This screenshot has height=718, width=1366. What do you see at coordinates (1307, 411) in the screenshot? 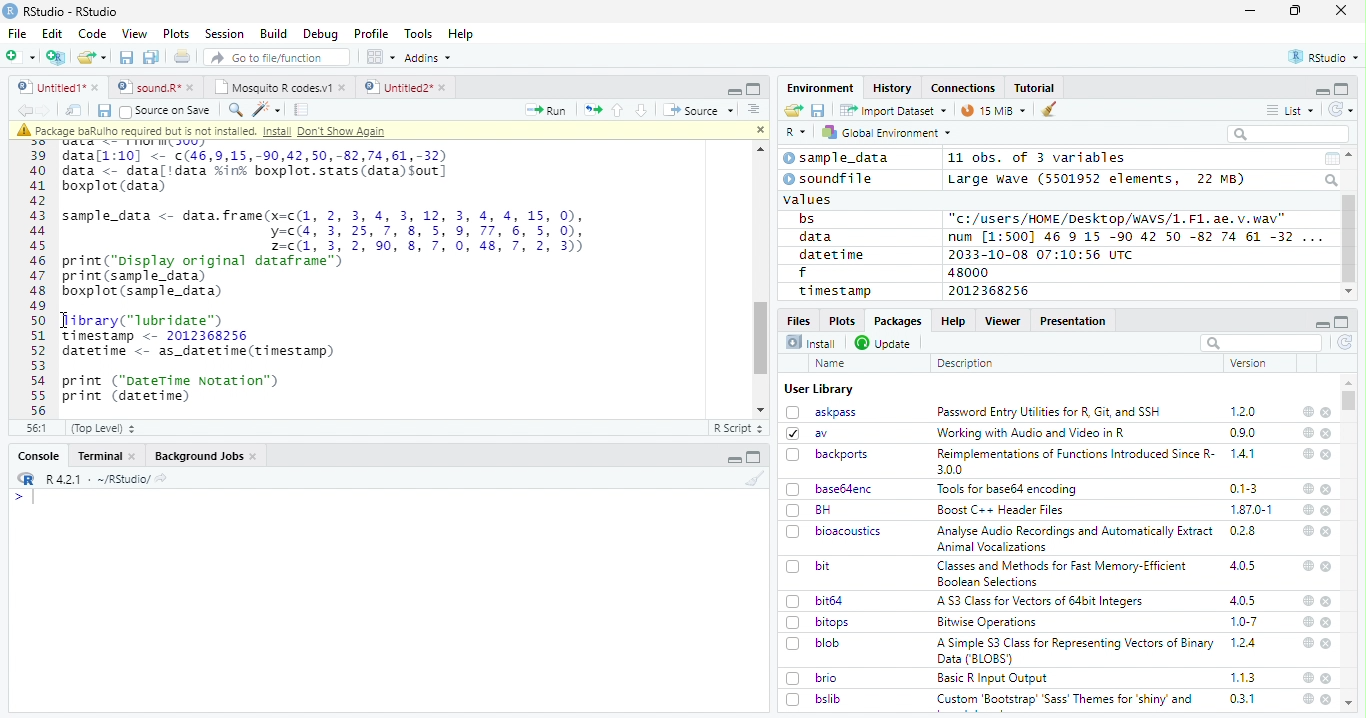
I see `help` at bounding box center [1307, 411].